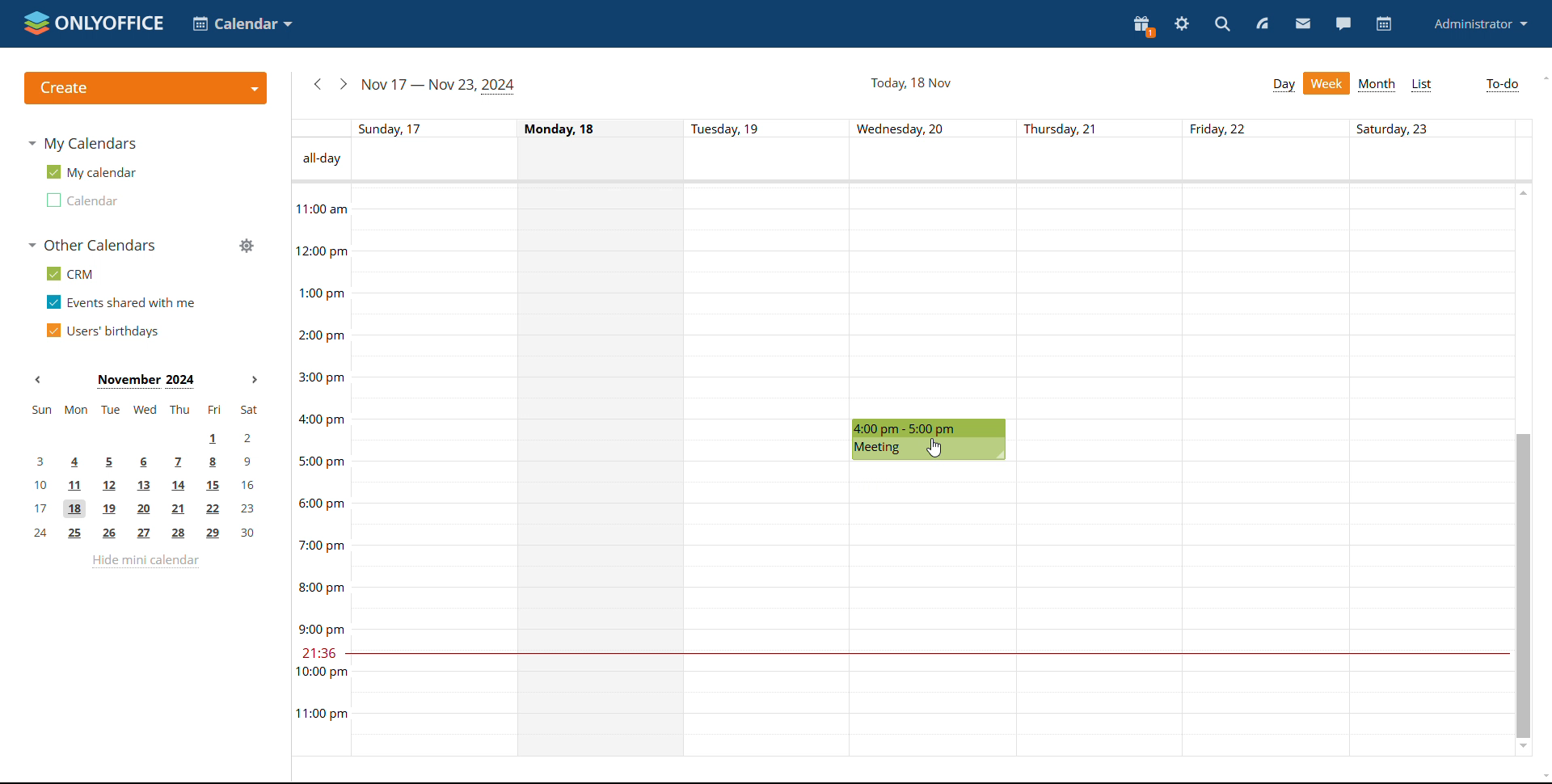 This screenshot has height=784, width=1552. I want to click on my calendars, so click(82, 143).